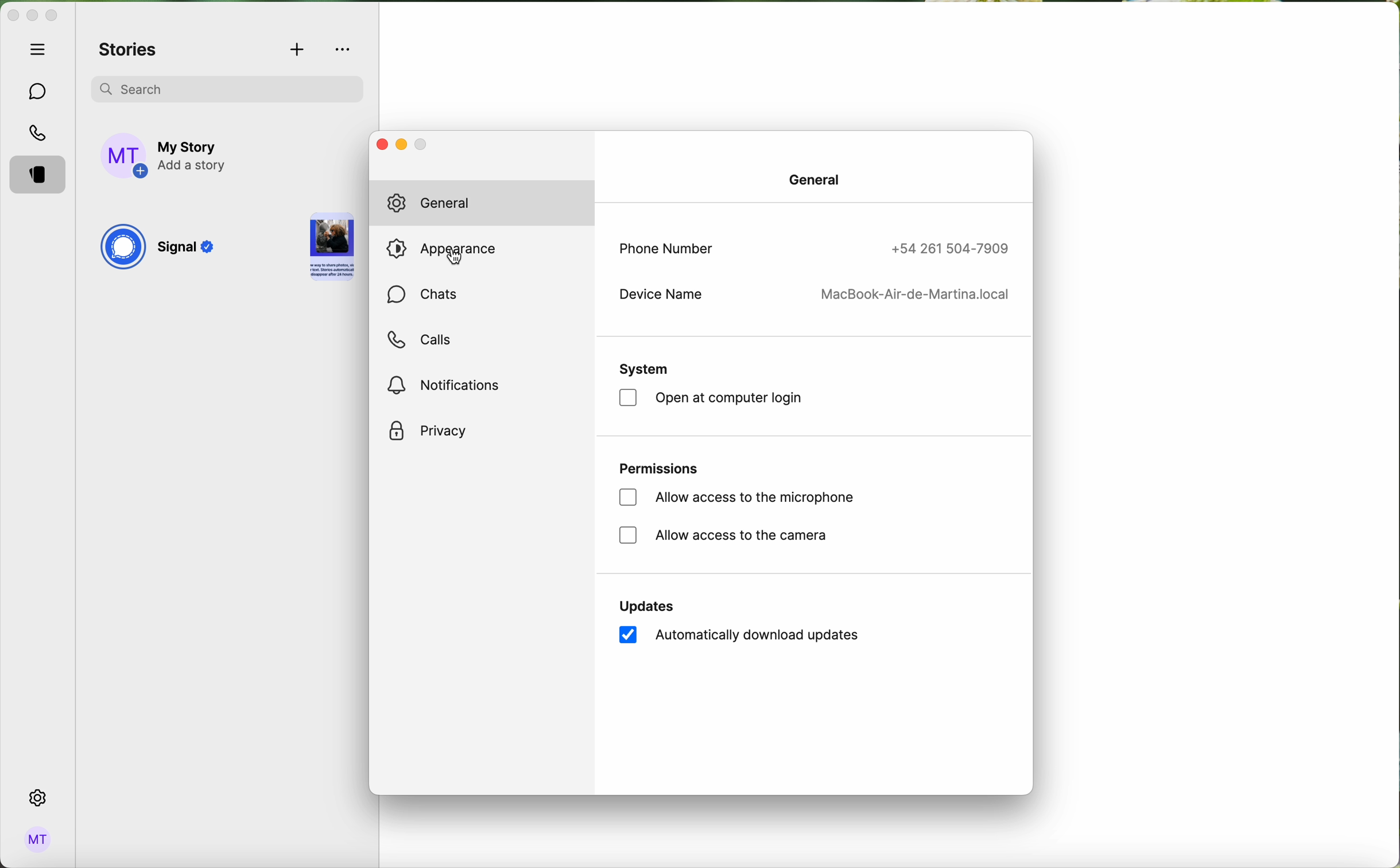 Image resolution: width=1400 pixels, height=868 pixels. I want to click on checkbox, so click(626, 398).